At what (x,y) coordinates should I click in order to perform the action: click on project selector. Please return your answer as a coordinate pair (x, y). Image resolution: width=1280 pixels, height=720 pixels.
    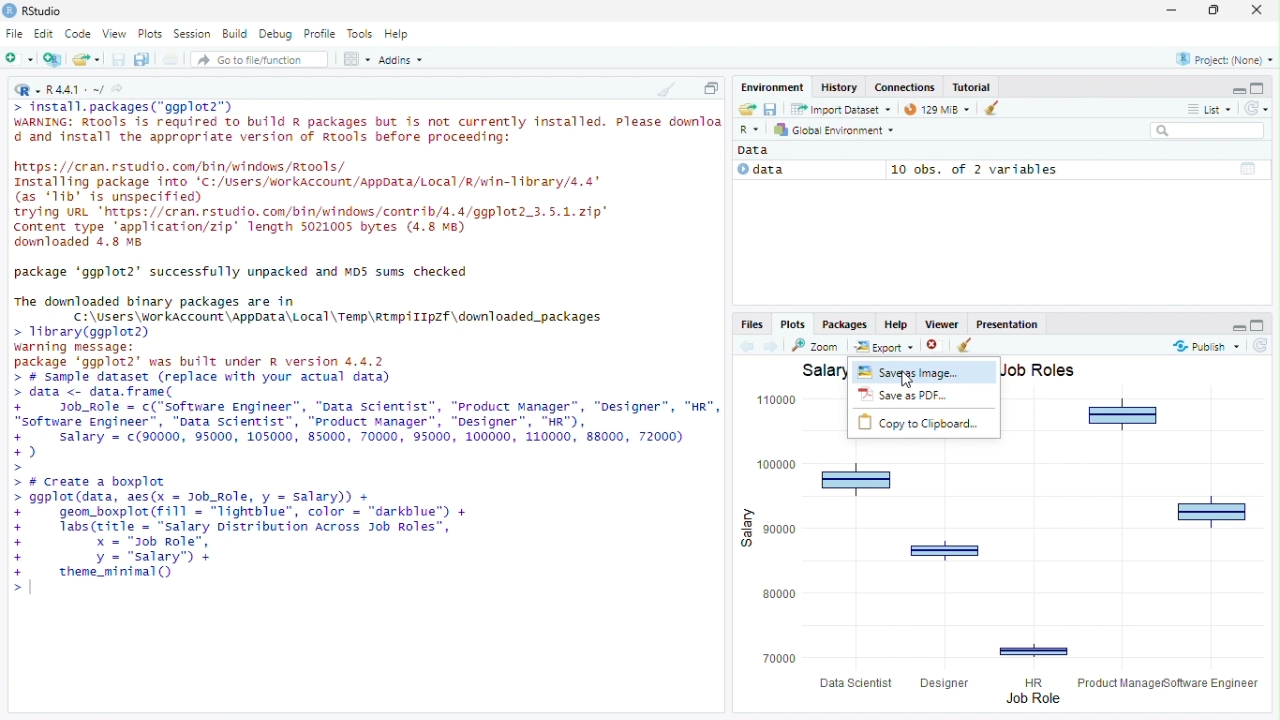
    Looking at the image, I should click on (1221, 59).